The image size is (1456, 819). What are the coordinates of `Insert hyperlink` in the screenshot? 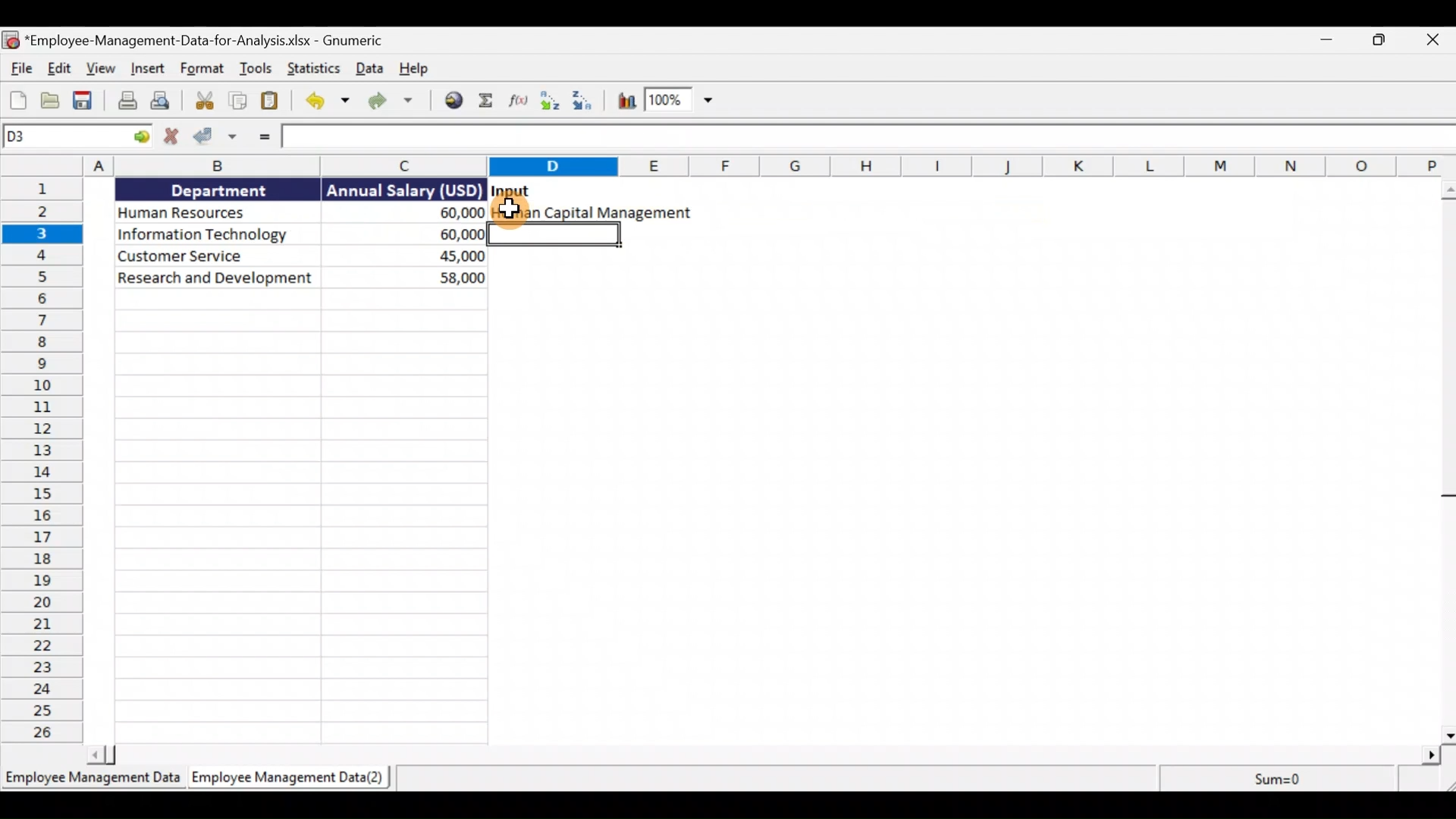 It's located at (453, 102).